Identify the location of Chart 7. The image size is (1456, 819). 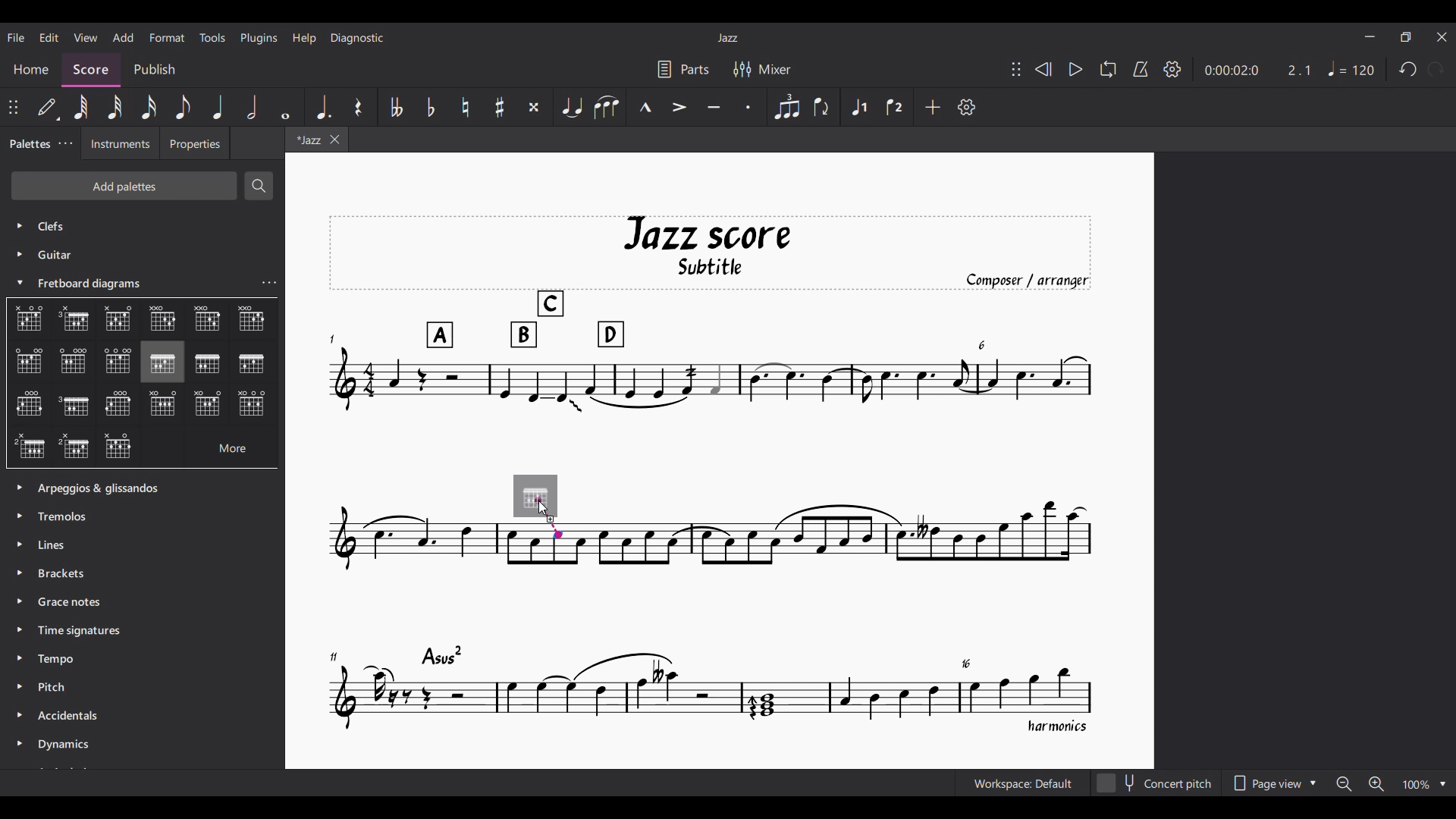
(76, 362).